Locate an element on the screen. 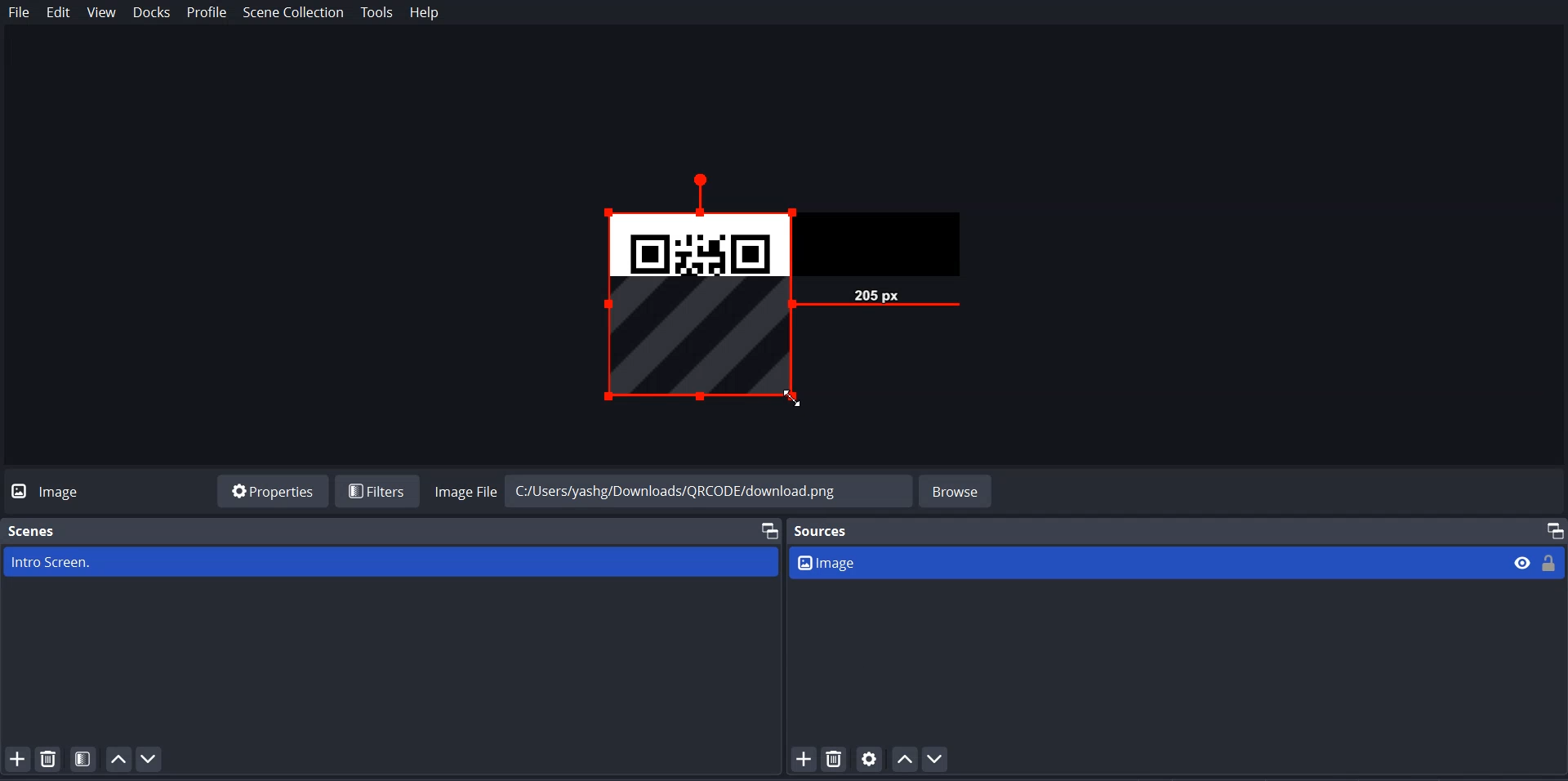 The image size is (1568, 781). Maximize is located at coordinates (1552, 527).